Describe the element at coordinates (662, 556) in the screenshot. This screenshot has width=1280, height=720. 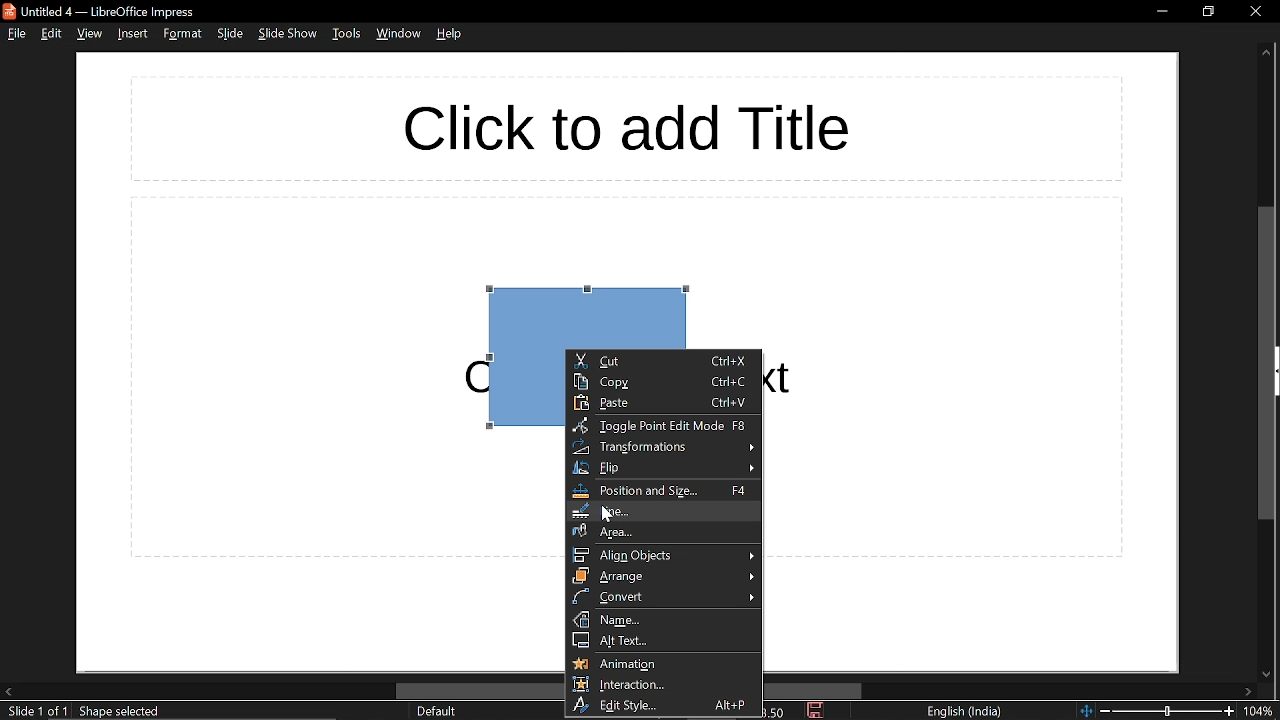
I see `align objects` at that location.